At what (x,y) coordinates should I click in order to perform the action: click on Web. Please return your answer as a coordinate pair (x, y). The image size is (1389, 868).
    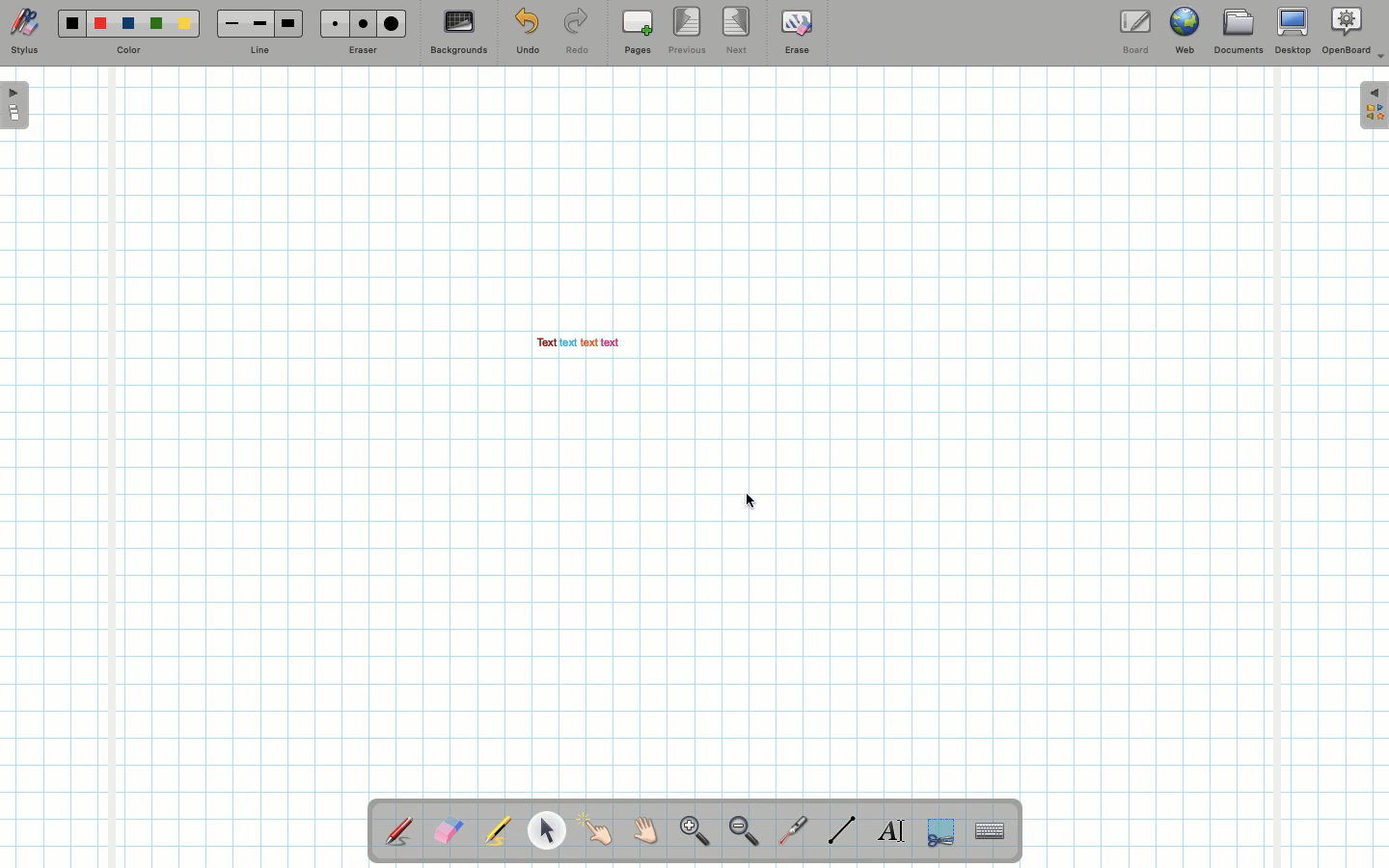
    Looking at the image, I should click on (1184, 35).